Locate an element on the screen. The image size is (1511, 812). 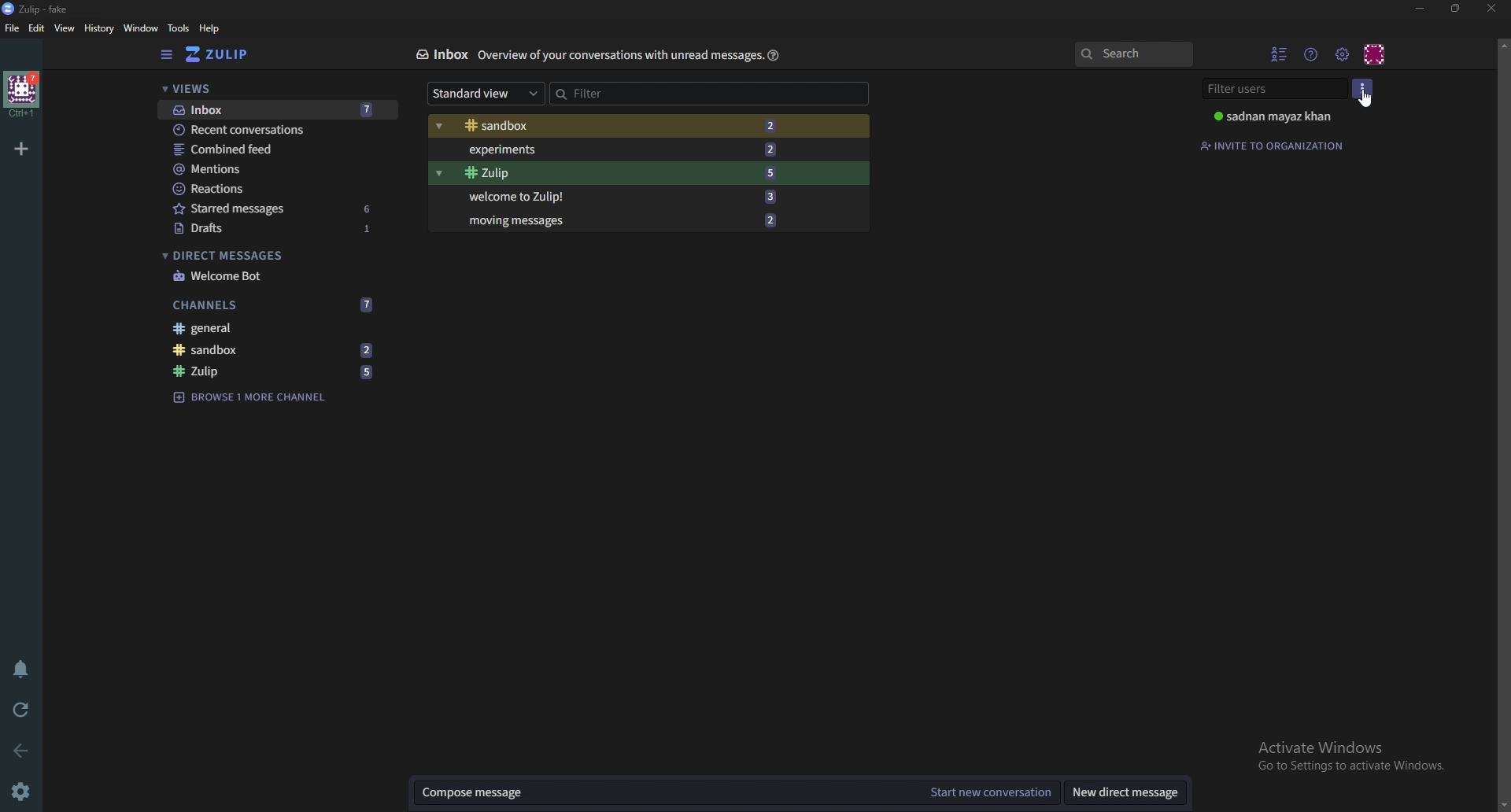
cursor is located at coordinates (1369, 103).